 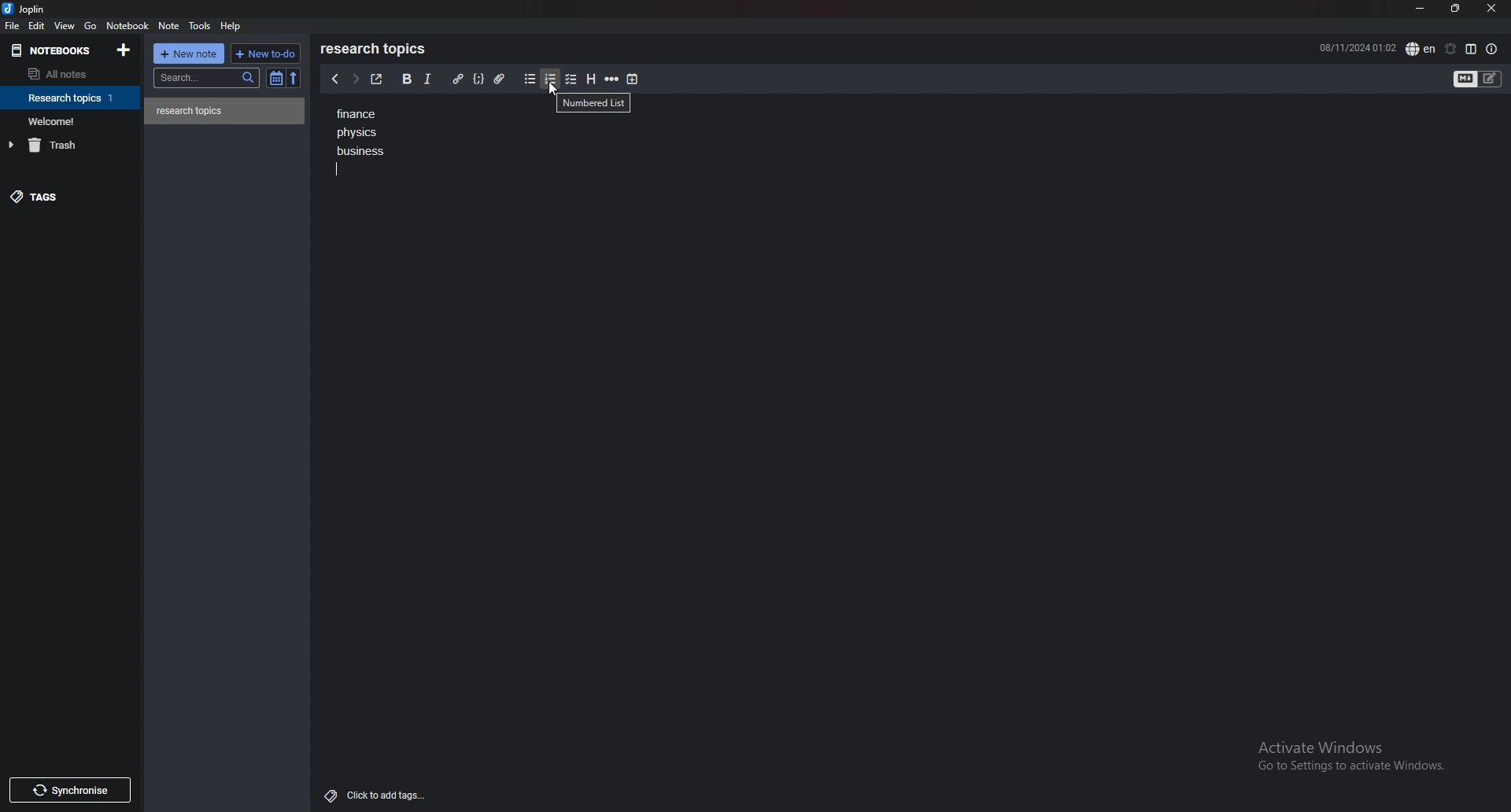 I want to click on Synchronise, so click(x=73, y=789).